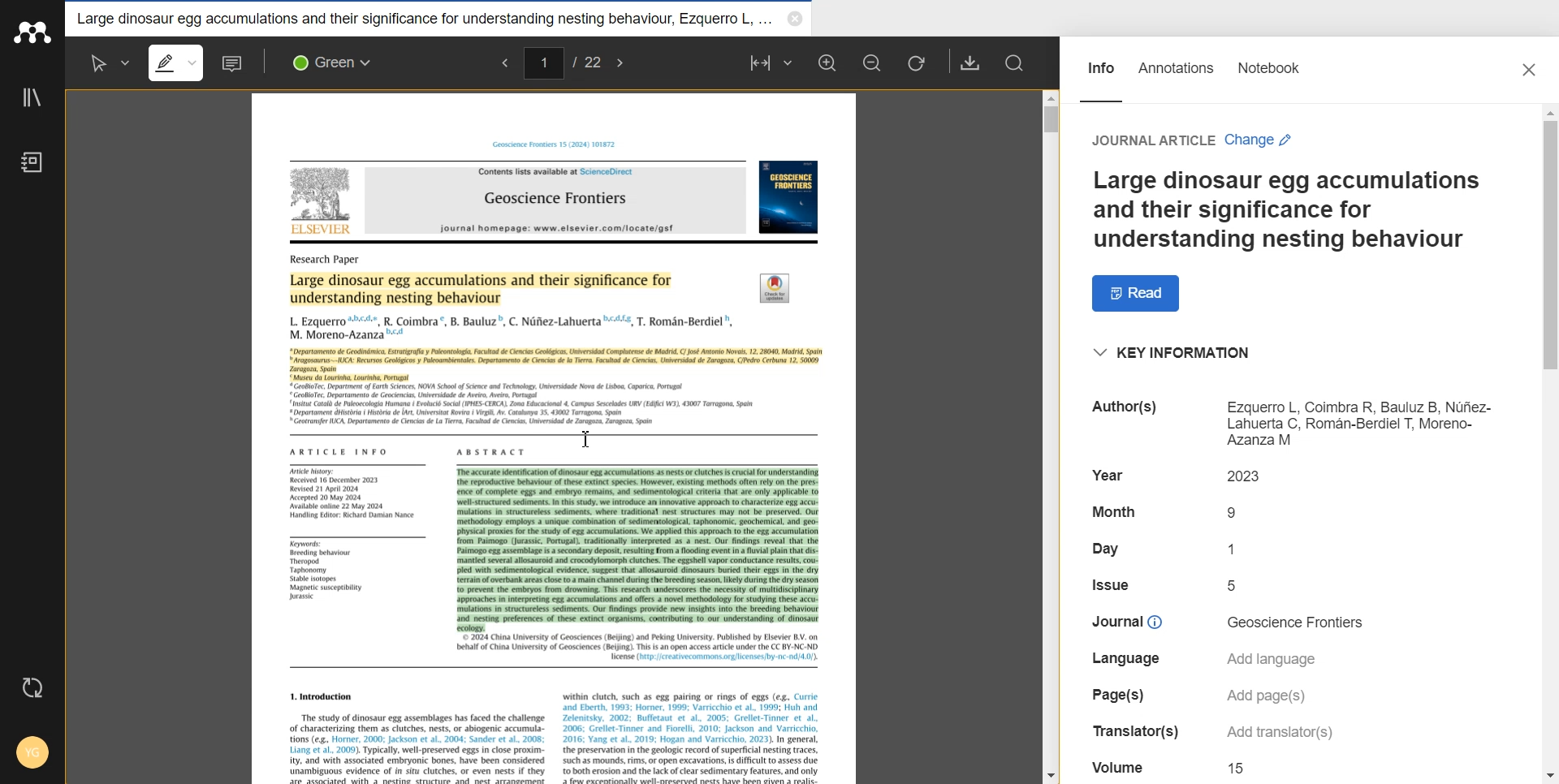  I want to click on text, so click(1152, 141).